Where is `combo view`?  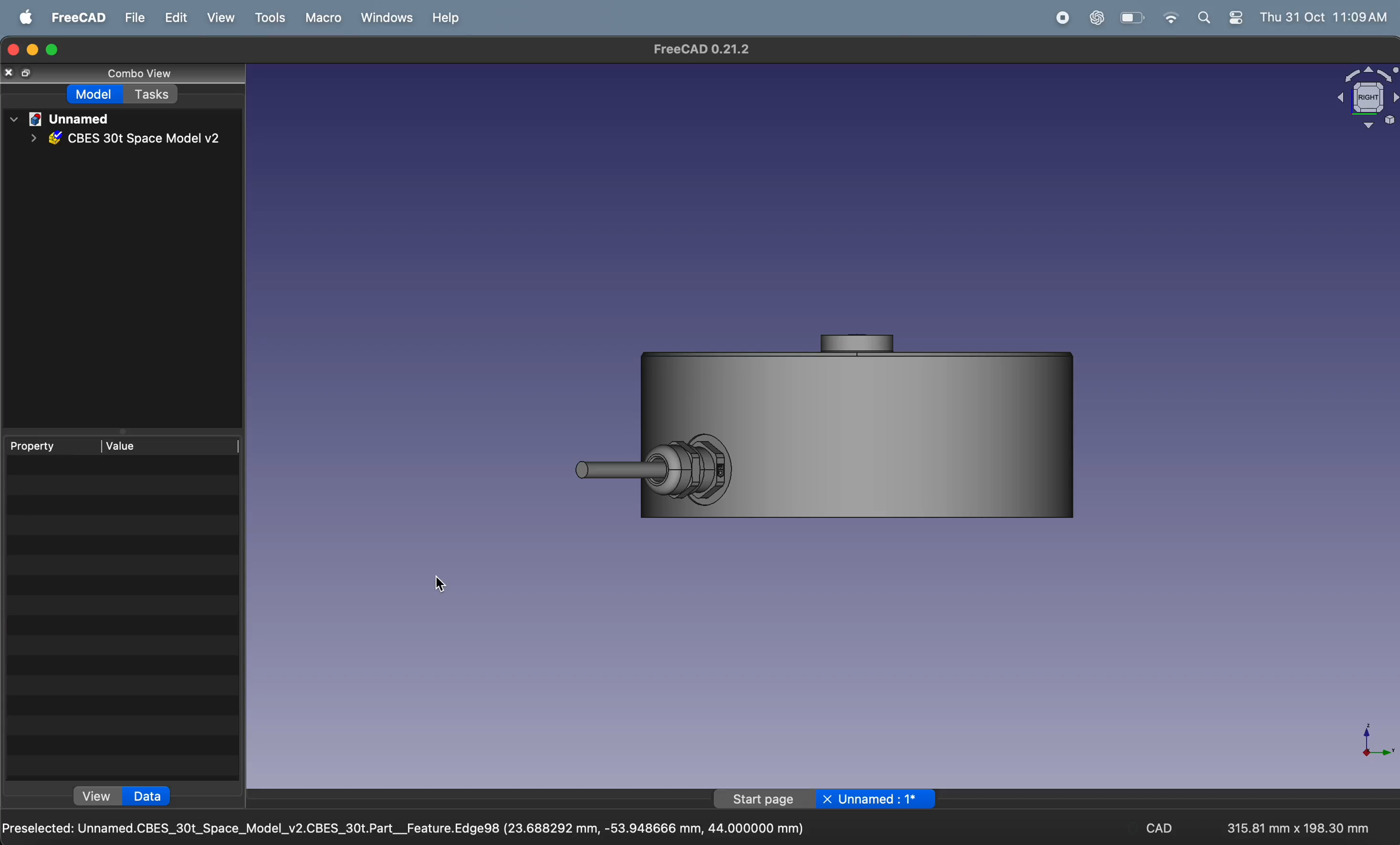 combo view is located at coordinates (141, 73).